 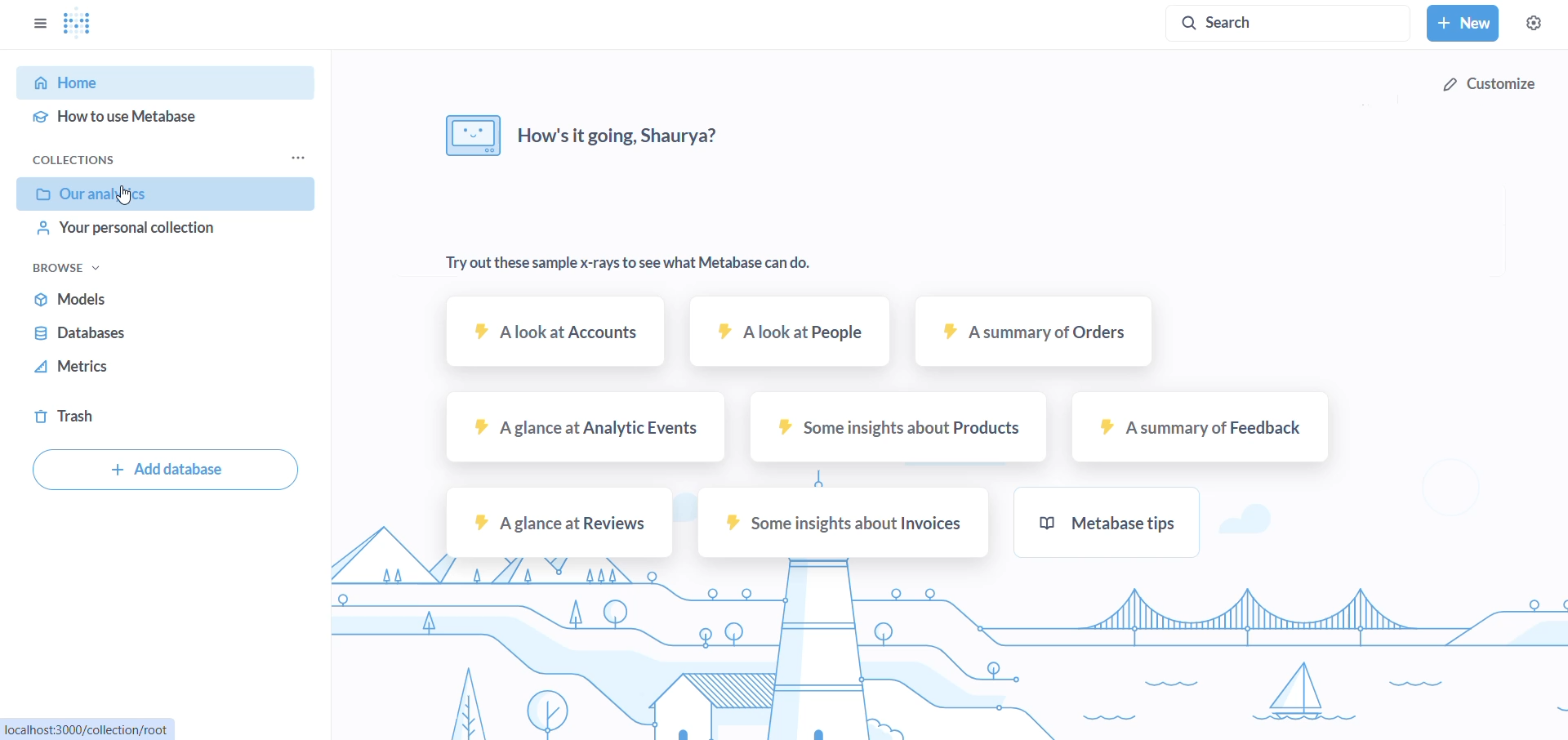 What do you see at coordinates (1201, 430) in the screenshot?
I see `A summary of Feedback sample` at bounding box center [1201, 430].